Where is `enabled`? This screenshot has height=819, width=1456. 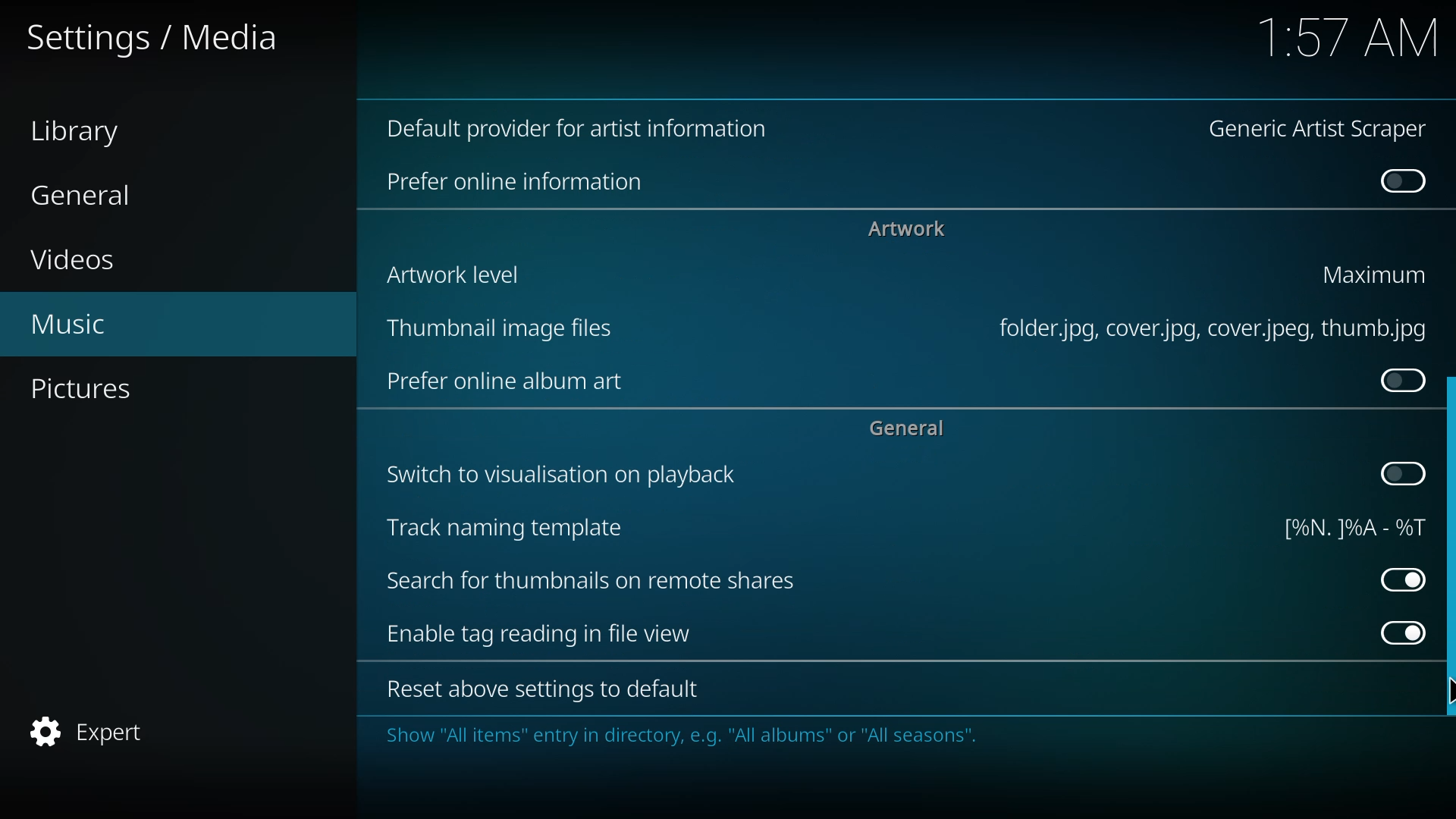
enabled is located at coordinates (1398, 631).